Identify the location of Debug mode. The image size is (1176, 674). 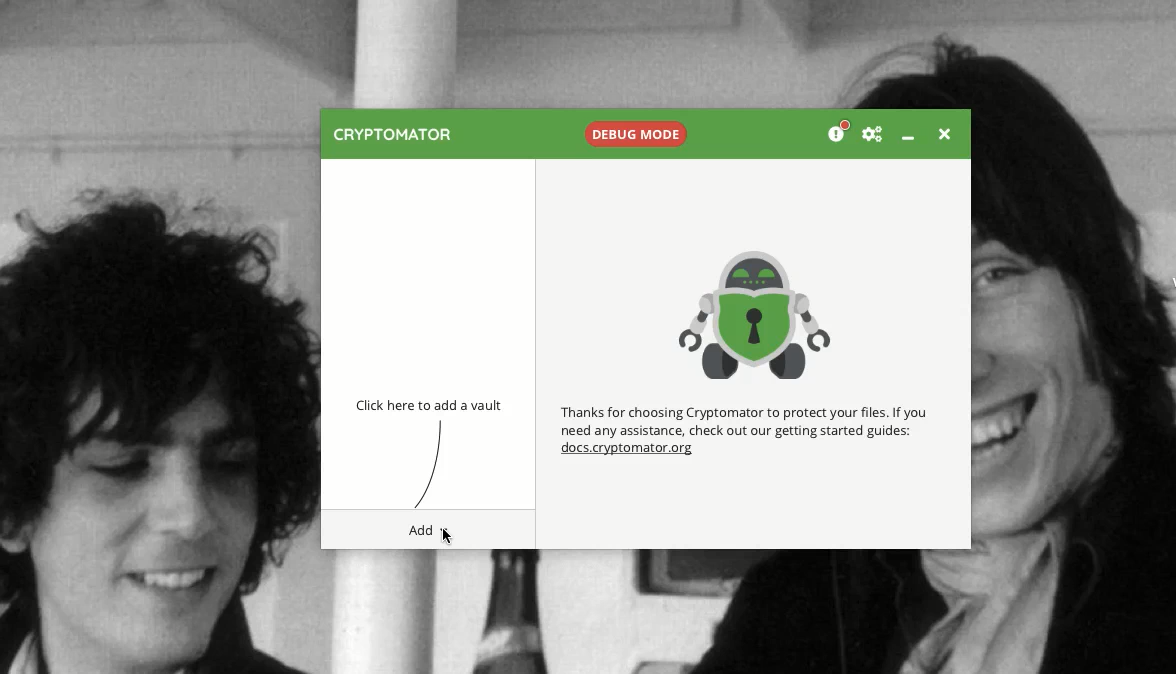
(636, 133).